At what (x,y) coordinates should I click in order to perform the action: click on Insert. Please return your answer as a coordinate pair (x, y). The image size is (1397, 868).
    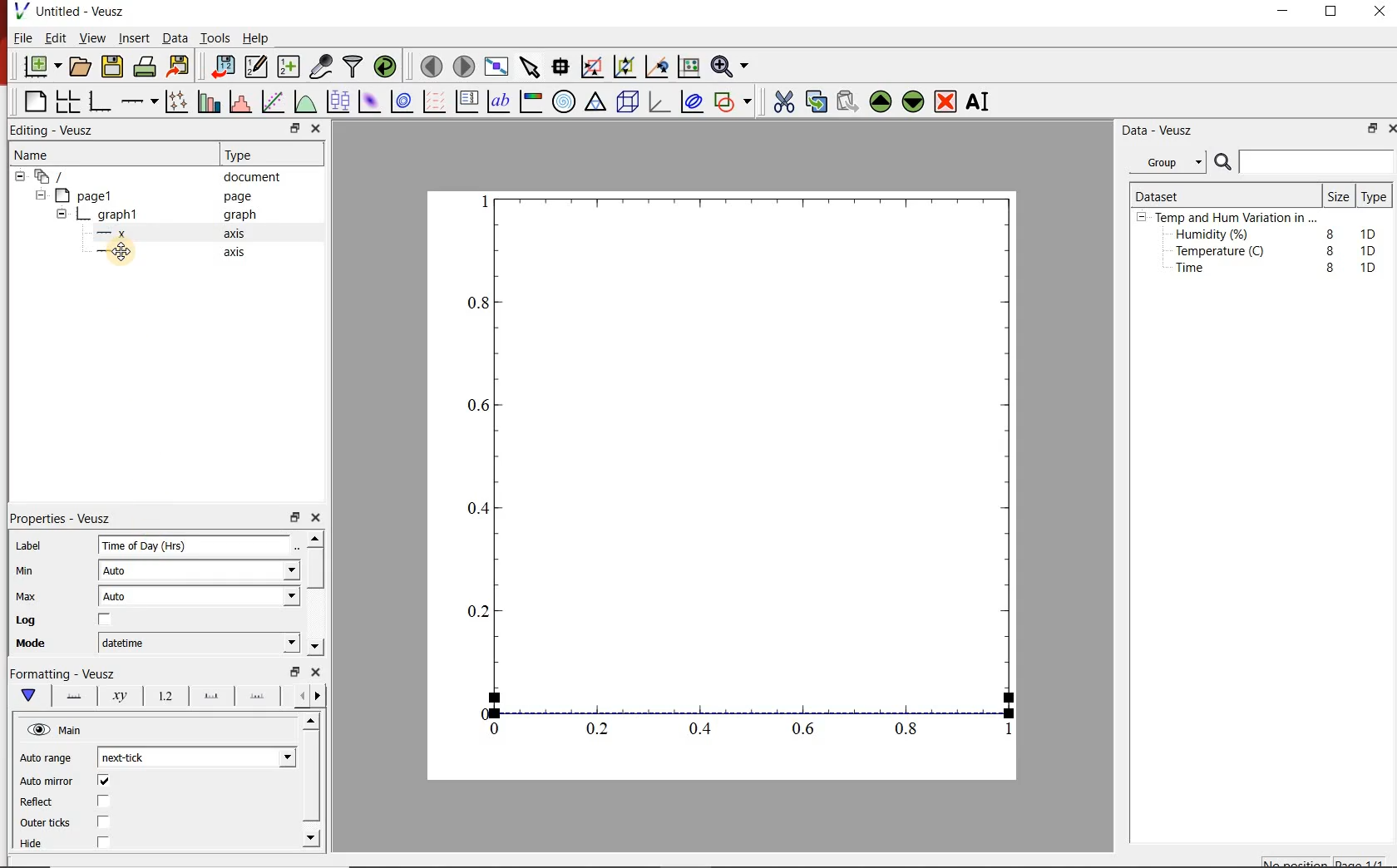
    Looking at the image, I should click on (131, 38).